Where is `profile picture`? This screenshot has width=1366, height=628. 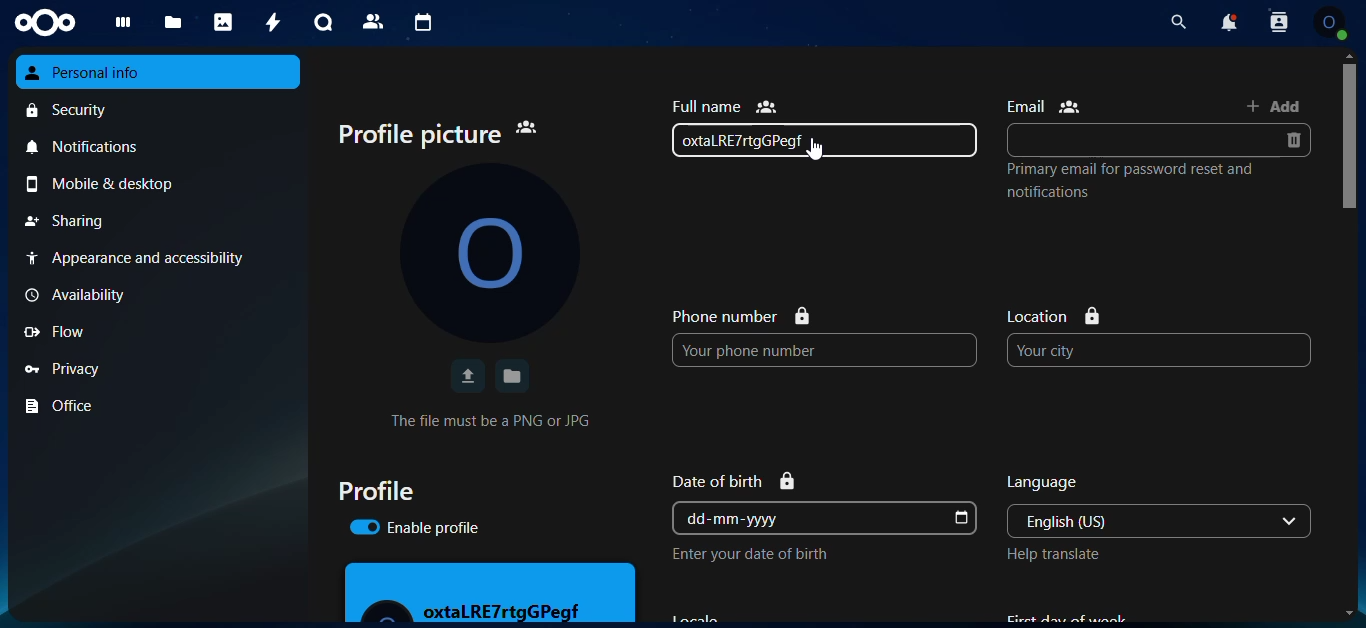
profile picture is located at coordinates (438, 135).